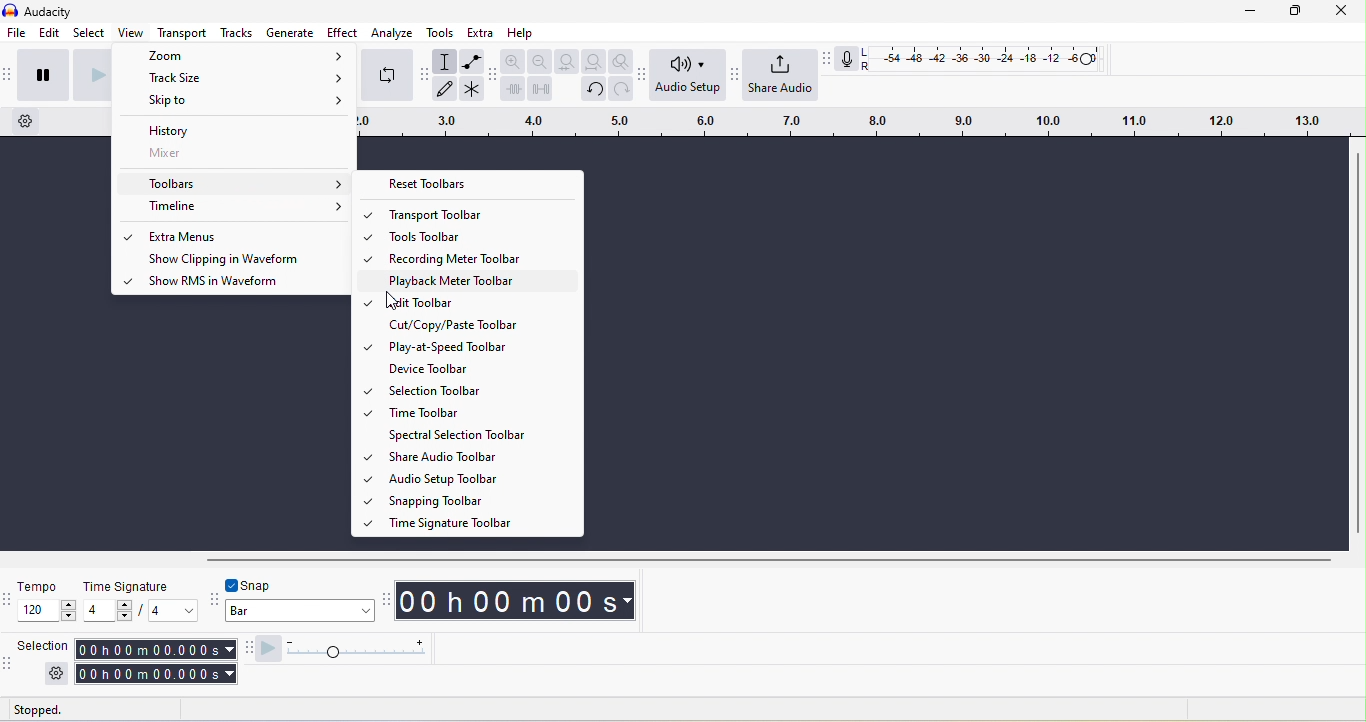 The height and width of the screenshot is (722, 1366). I want to click on Extra menus , so click(242, 236).